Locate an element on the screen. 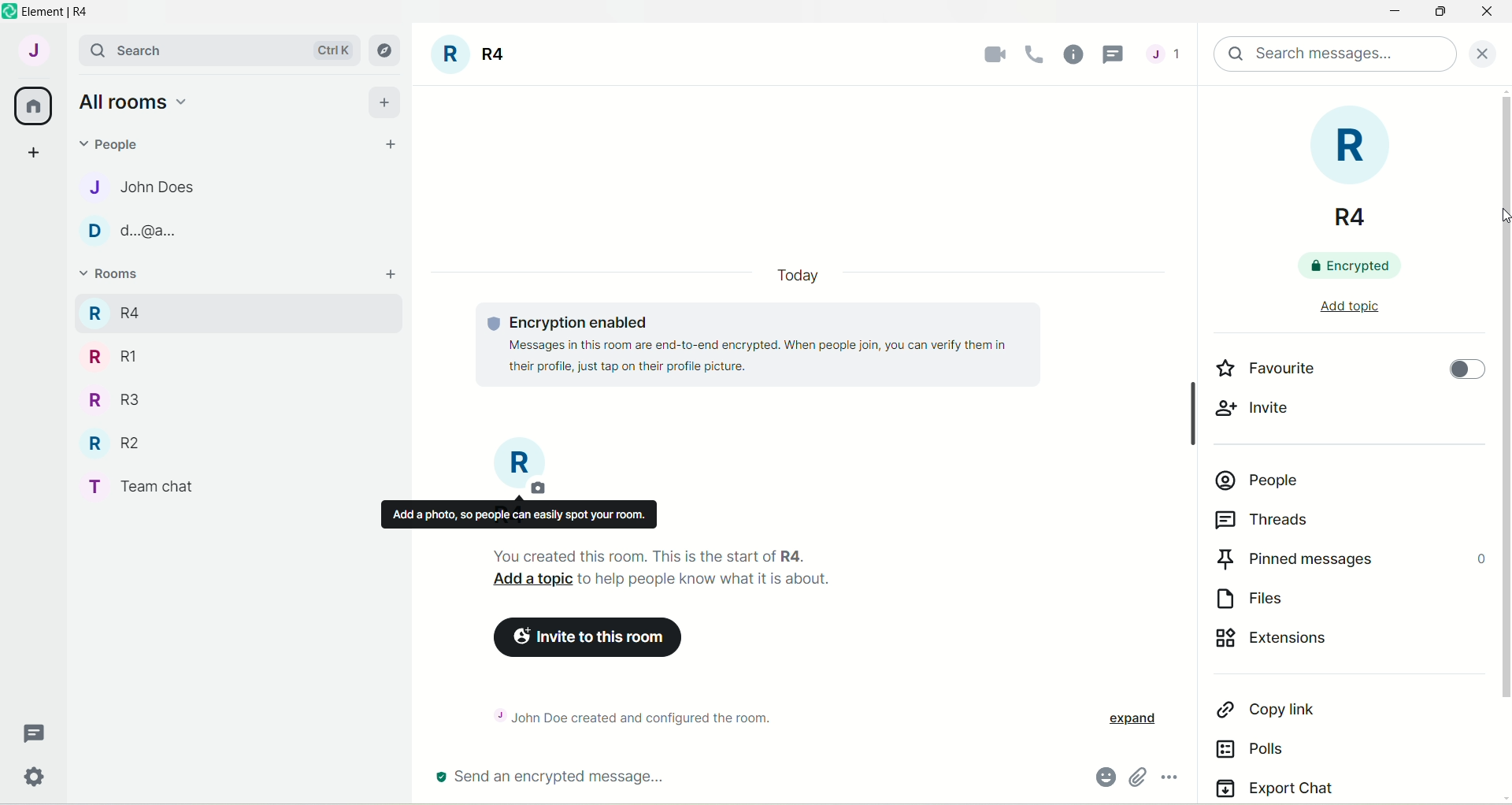 The height and width of the screenshot is (805, 1512). room title is located at coordinates (521, 467).